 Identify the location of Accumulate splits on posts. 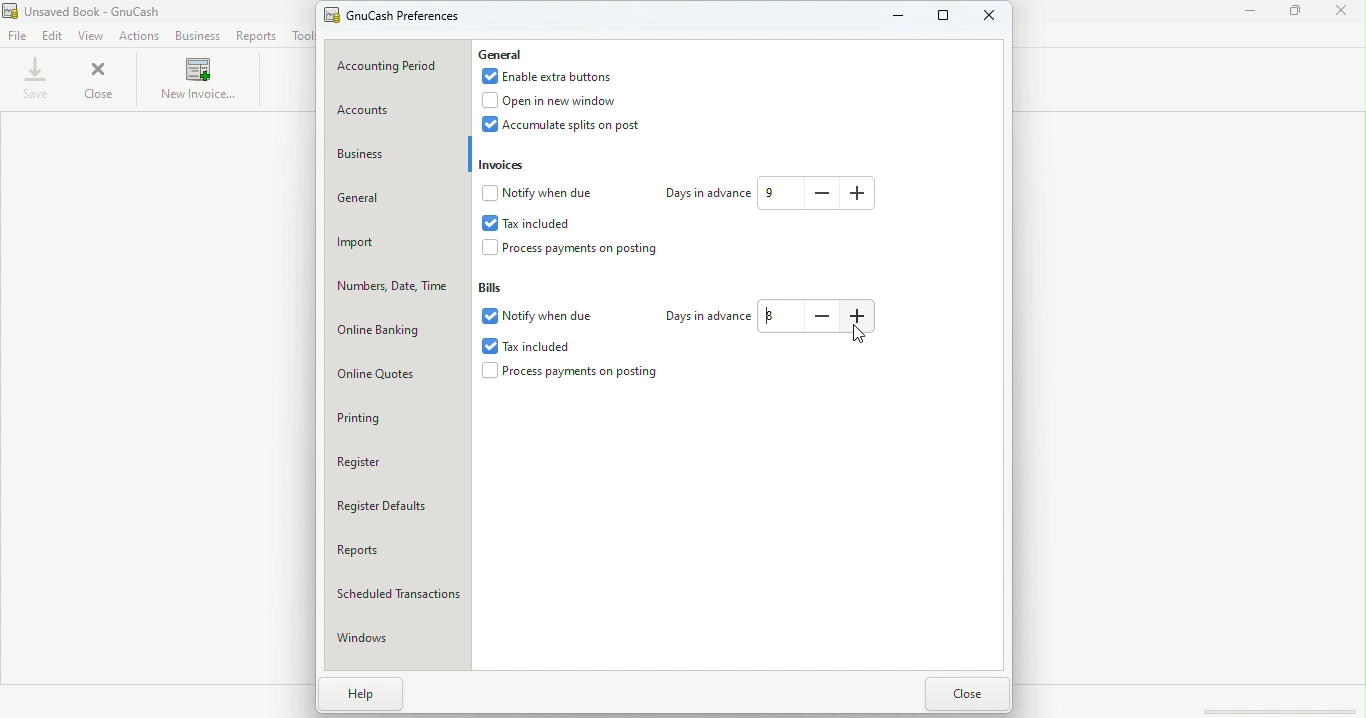
(574, 126).